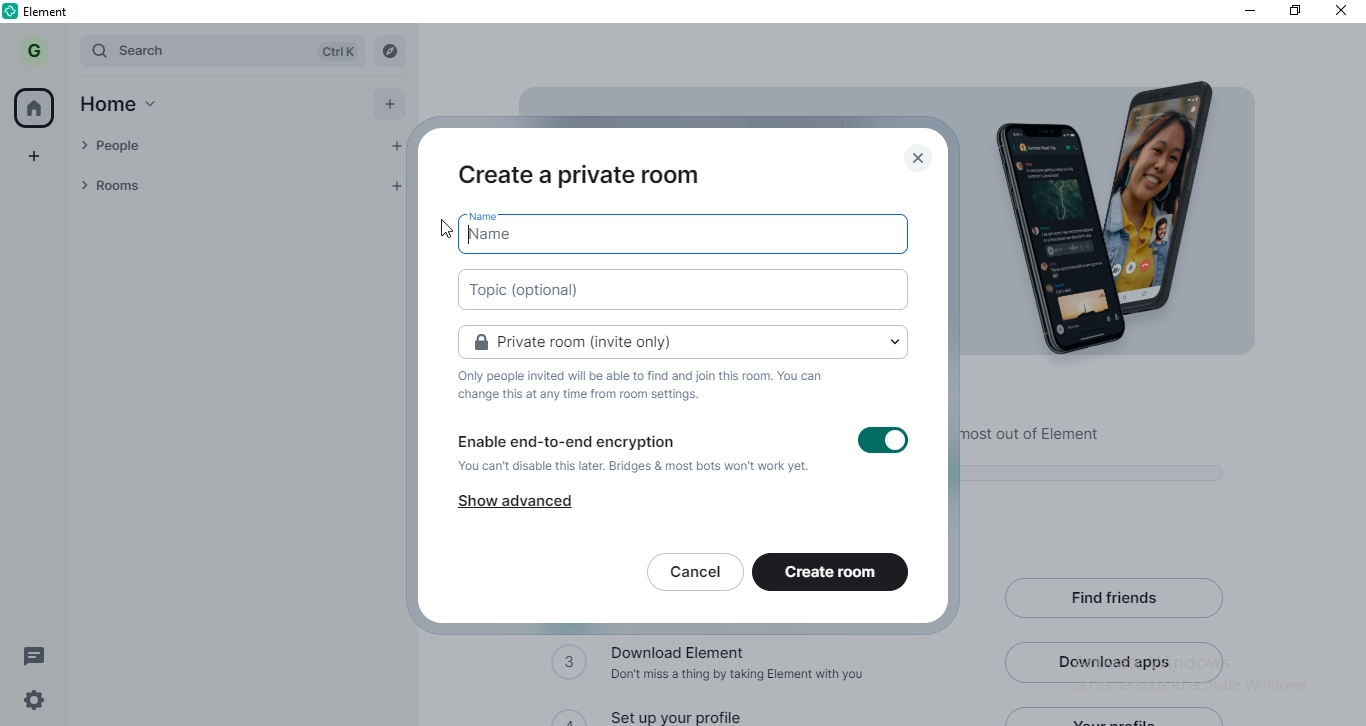 The image size is (1366, 726). I want to click on close, so click(1344, 13).